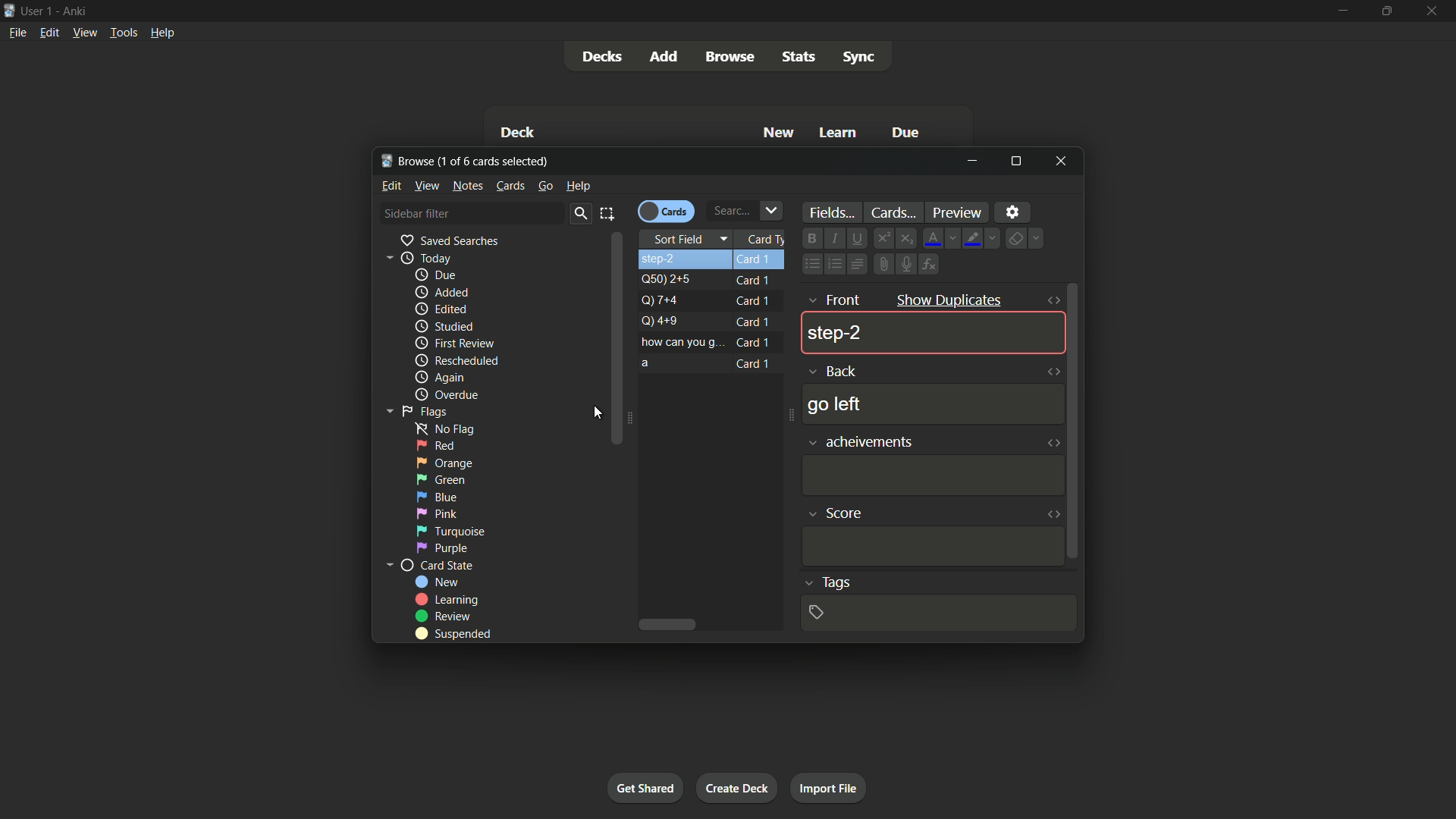  I want to click on Notes, so click(469, 186).